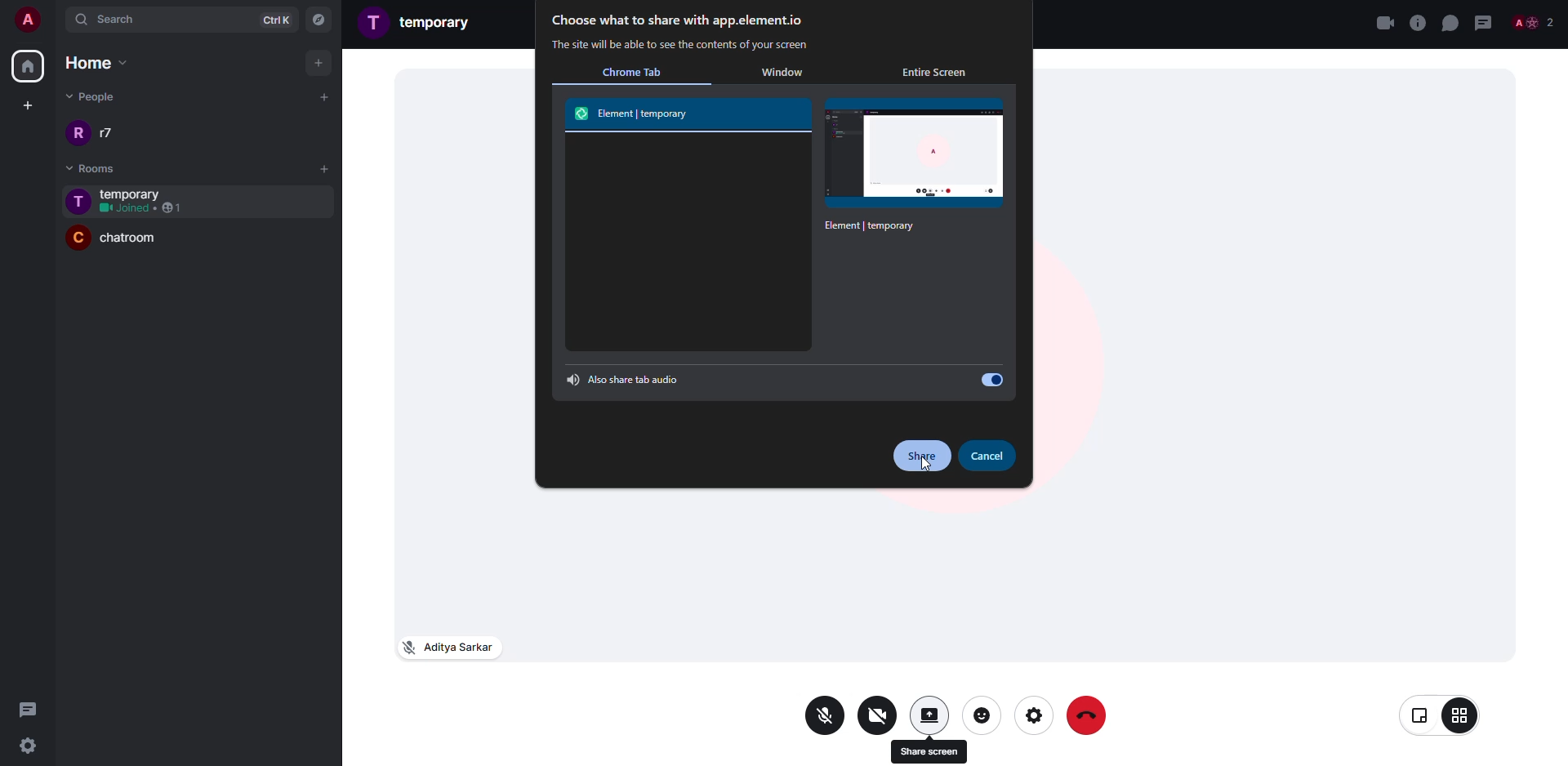 This screenshot has height=766, width=1568. What do you see at coordinates (318, 20) in the screenshot?
I see `navigator` at bounding box center [318, 20].